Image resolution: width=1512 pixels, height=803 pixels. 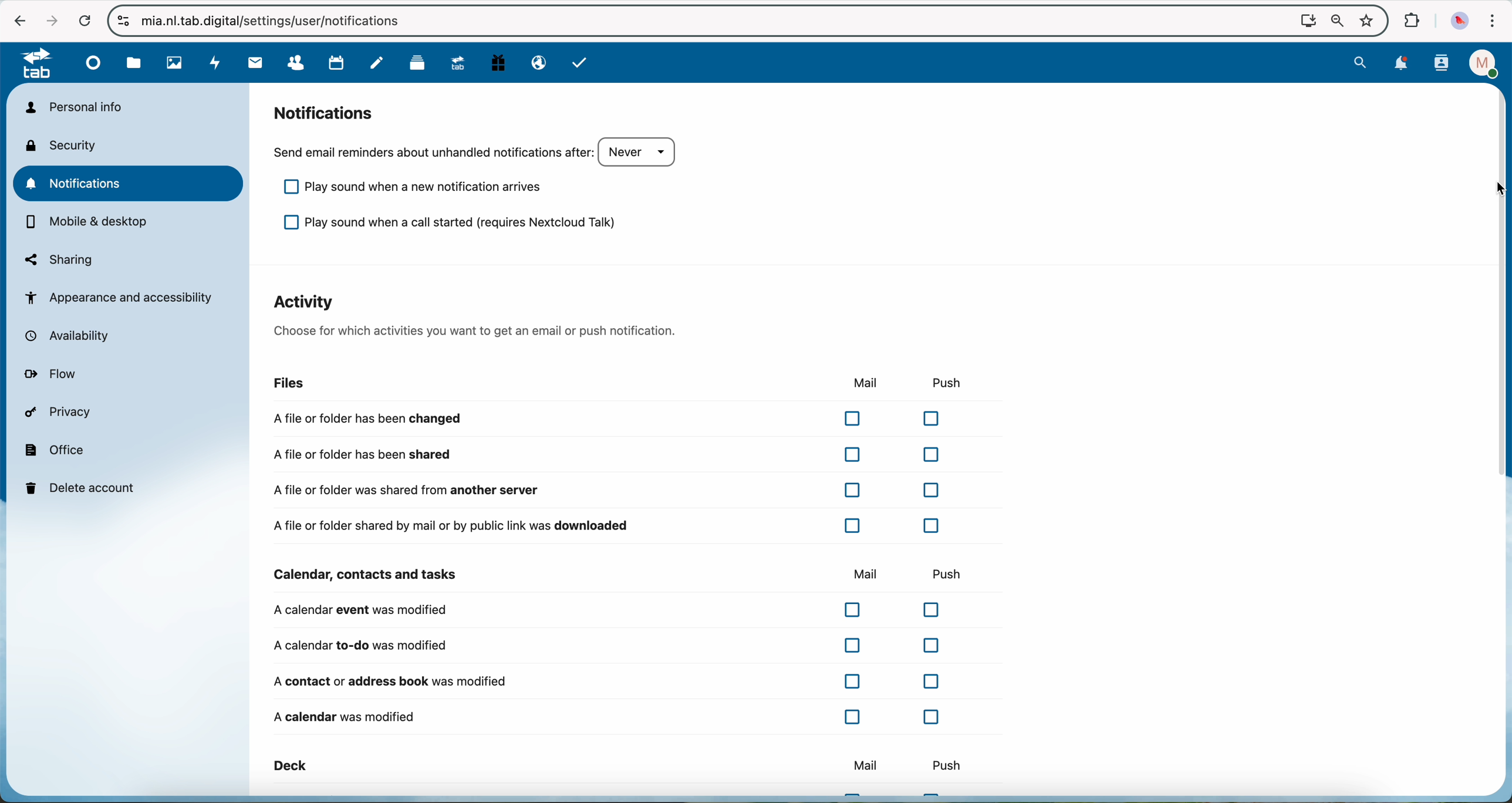 What do you see at coordinates (500, 65) in the screenshot?
I see `free trial PC` at bounding box center [500, 65].